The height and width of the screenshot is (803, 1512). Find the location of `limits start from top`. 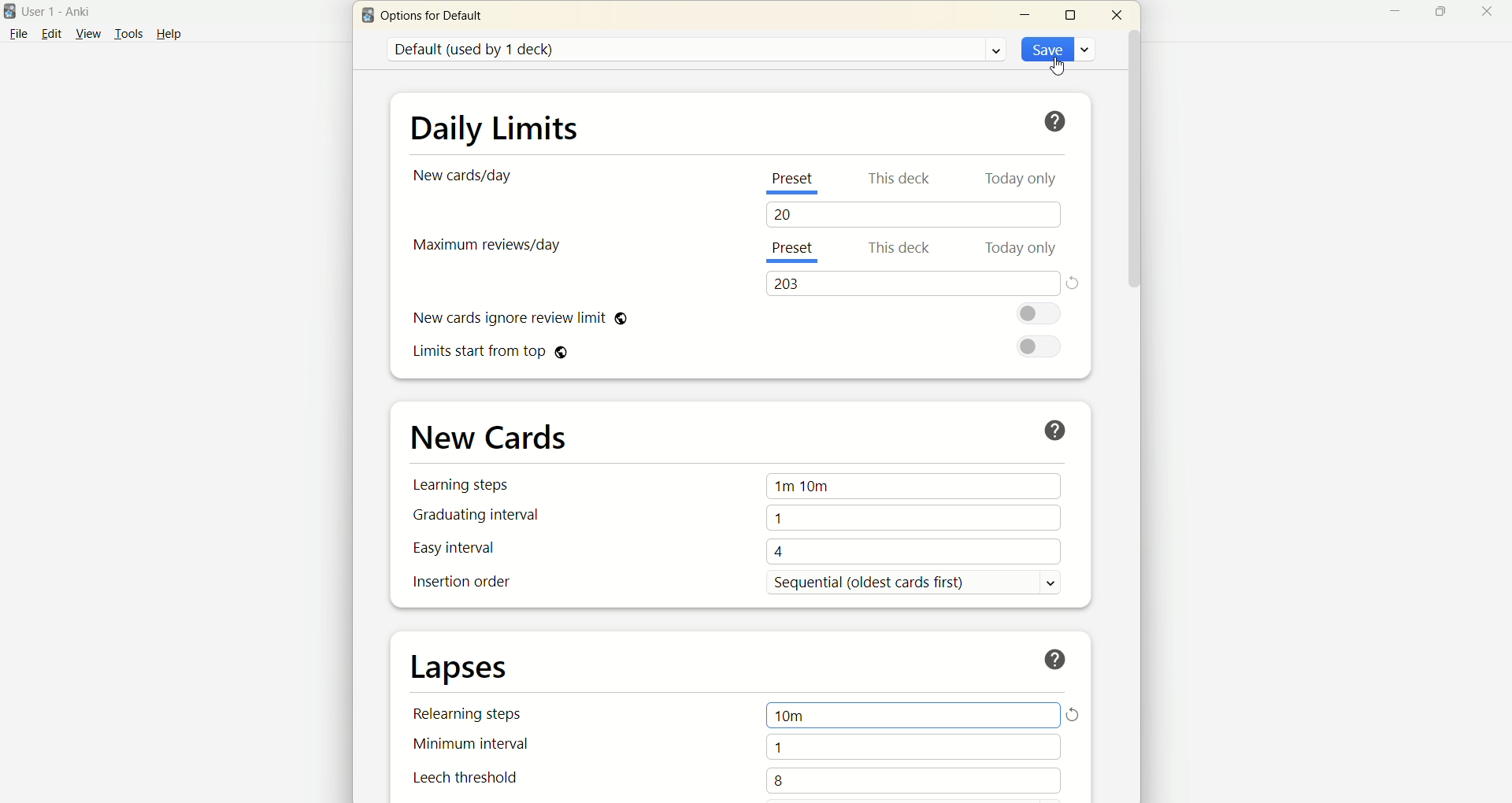

limits start from top is located at coordinates (493, 354).